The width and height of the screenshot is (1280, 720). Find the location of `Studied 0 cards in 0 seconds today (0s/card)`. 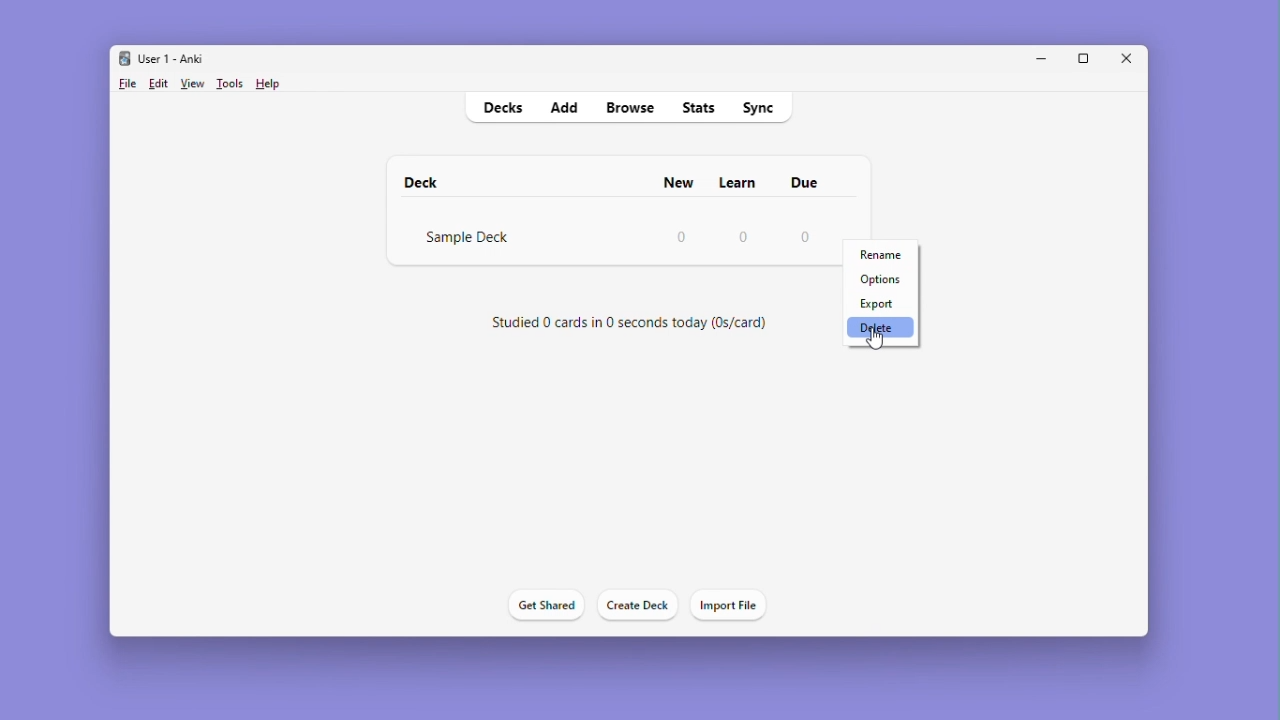

Studied 0 cards in 0 seconds today (0s/card) is located at coordinates (633, 330).